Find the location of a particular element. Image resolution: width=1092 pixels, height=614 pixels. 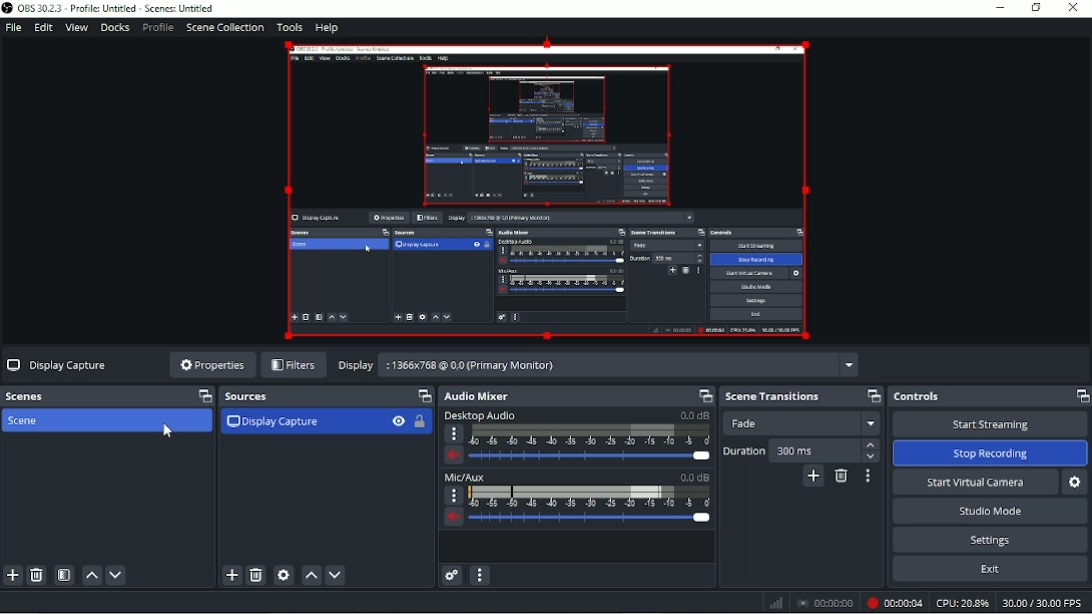

Video is located at coordinates (547, 192).